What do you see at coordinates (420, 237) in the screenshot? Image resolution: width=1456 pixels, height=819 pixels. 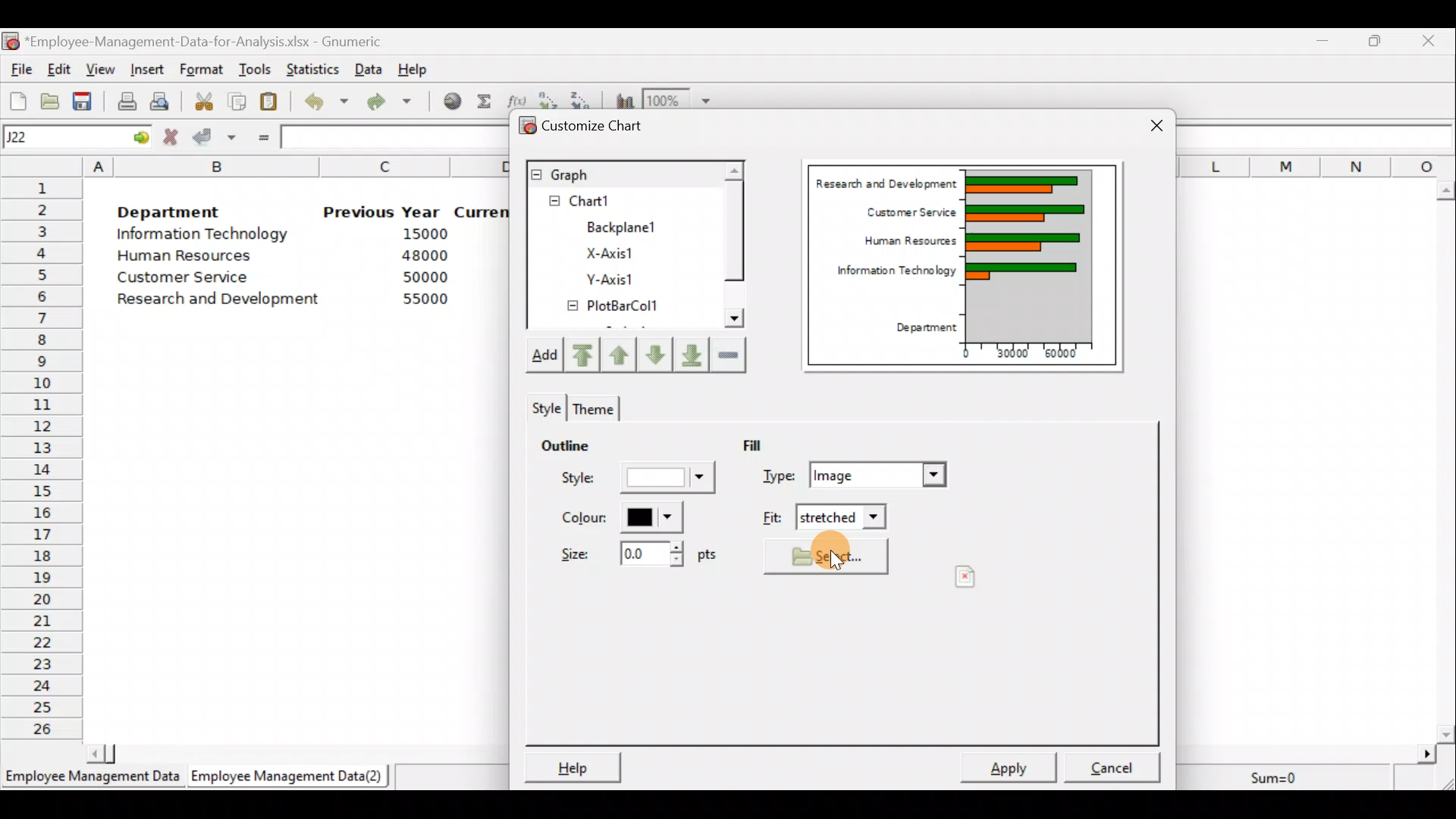 I see `15000` at bounding box center [420, 237].